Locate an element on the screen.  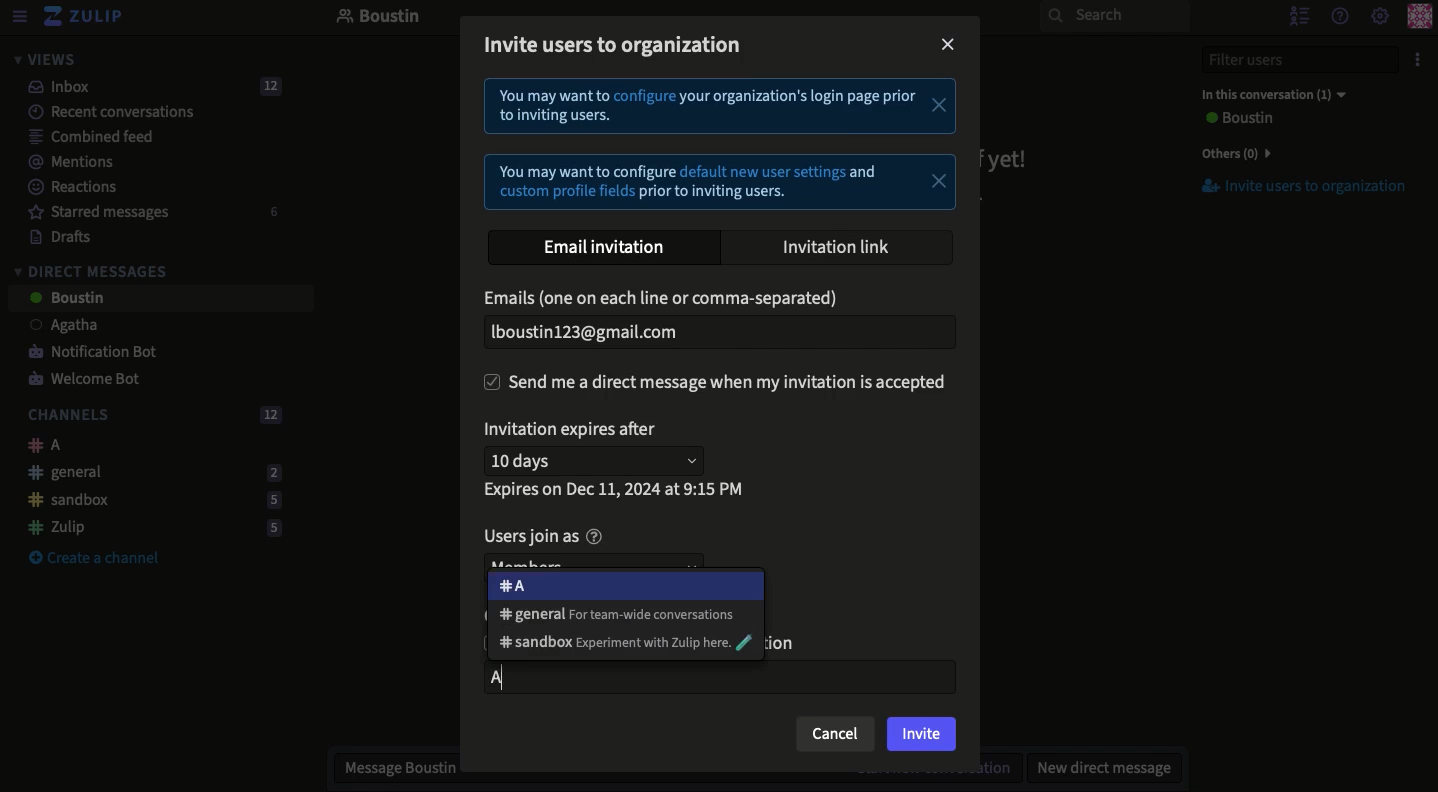
Send DM when invitation is accepted is located at coordinates (720, 382).